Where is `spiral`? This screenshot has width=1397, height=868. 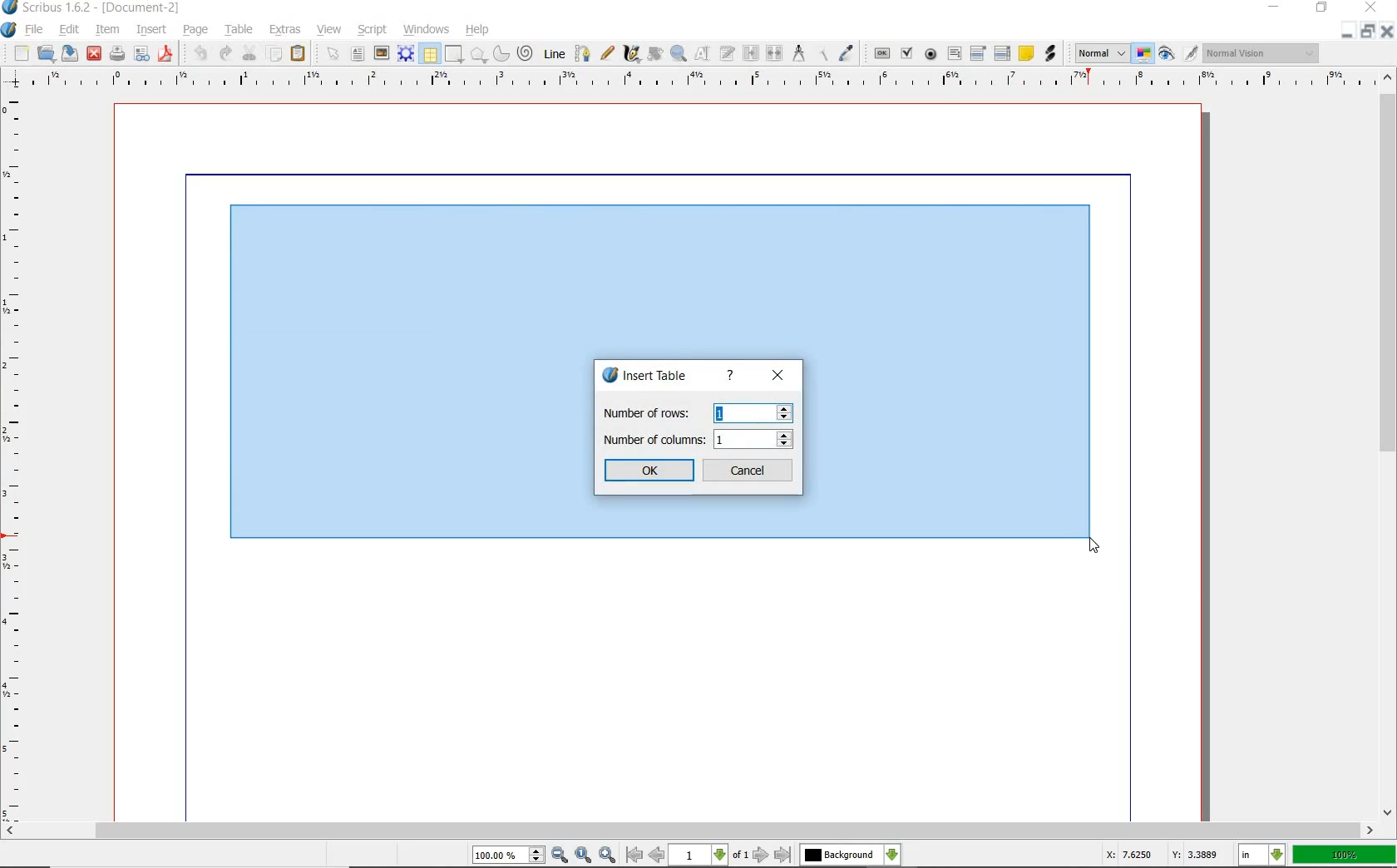
spiral is located at coordinates (526, 54).